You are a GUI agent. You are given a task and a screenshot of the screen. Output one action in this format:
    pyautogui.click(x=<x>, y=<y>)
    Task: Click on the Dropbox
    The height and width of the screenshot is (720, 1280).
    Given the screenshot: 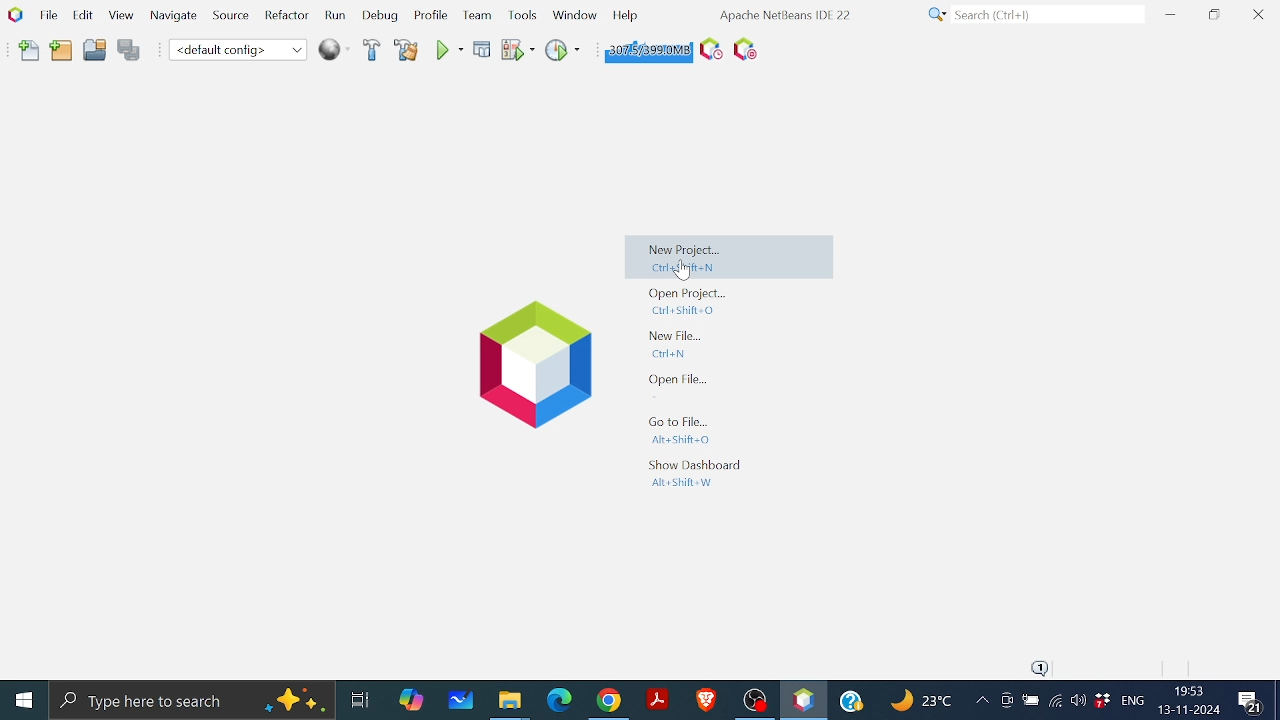 What is the action you would take?
    pyautogui.click(x=1102, y=701)
    